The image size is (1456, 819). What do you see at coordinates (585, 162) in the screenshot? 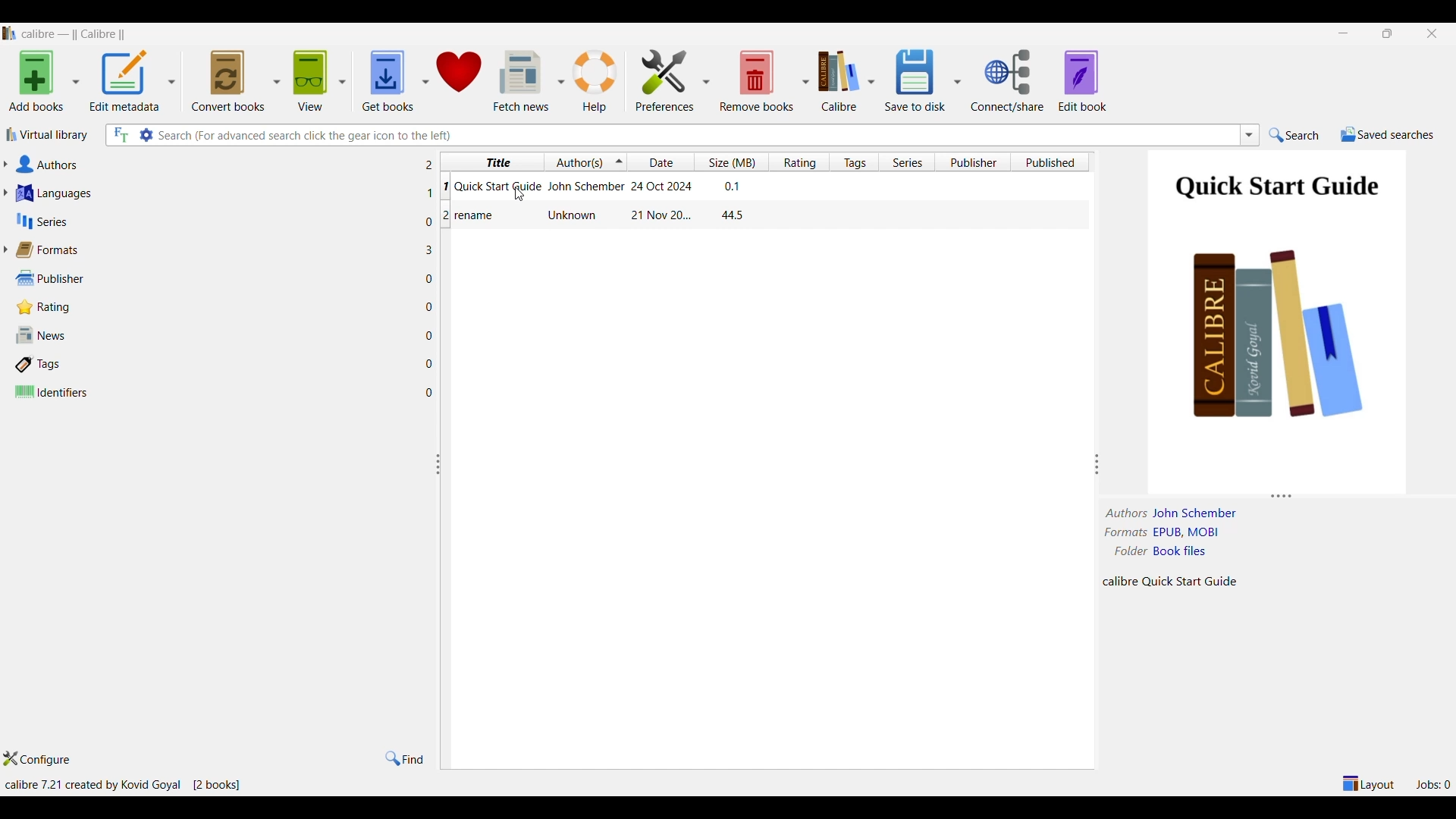
I see `Author(s) column, current sorting` at bounding box center [585, 162].